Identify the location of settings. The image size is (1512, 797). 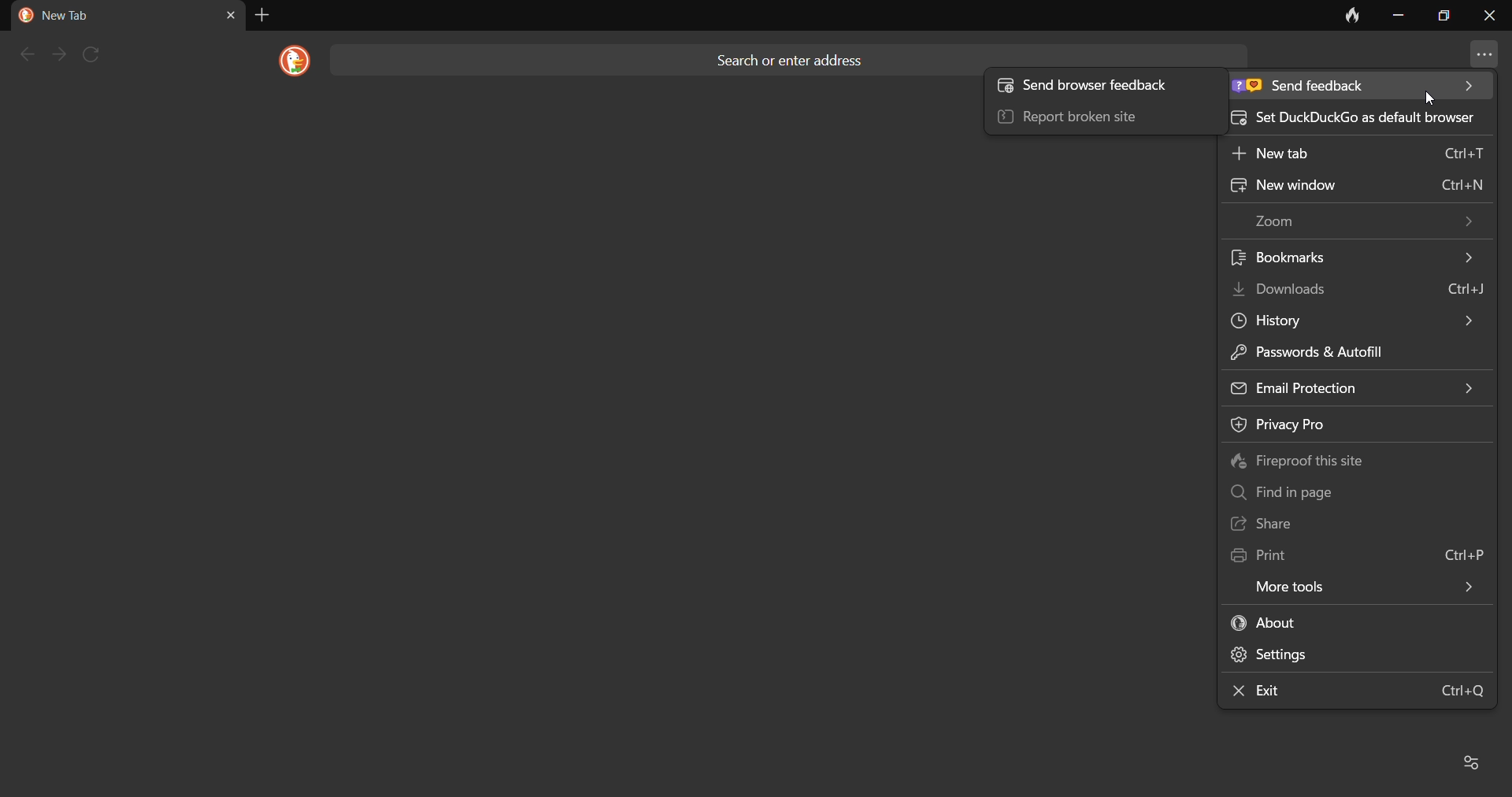
(1355, 658).